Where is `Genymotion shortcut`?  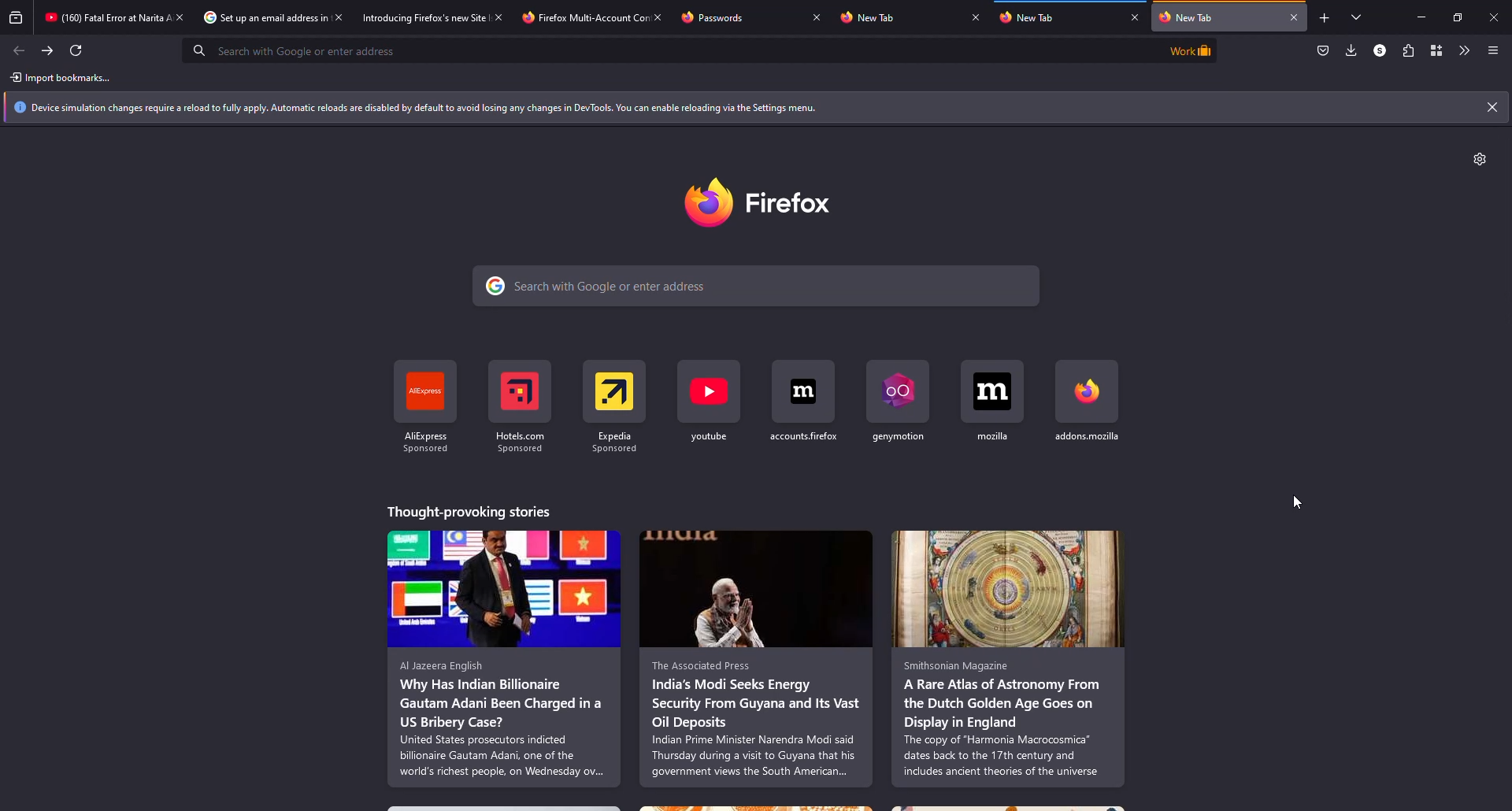 Genymotion shortcut is located at coordinates (898, 402).